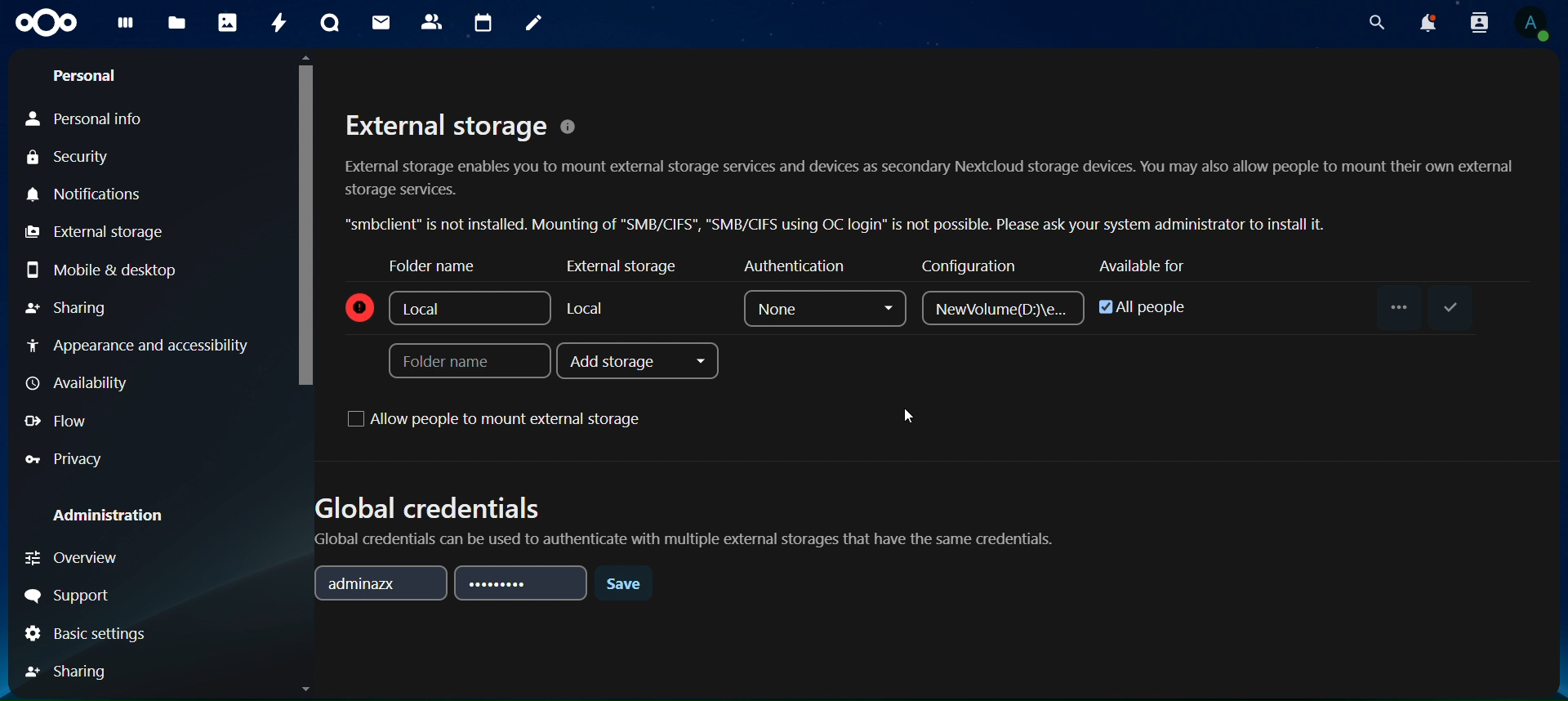 The height and width of the screenshot is (701, 1568). Describe the element at coordinates (440, 267) in the screenshot. I see `folder name` at that location.